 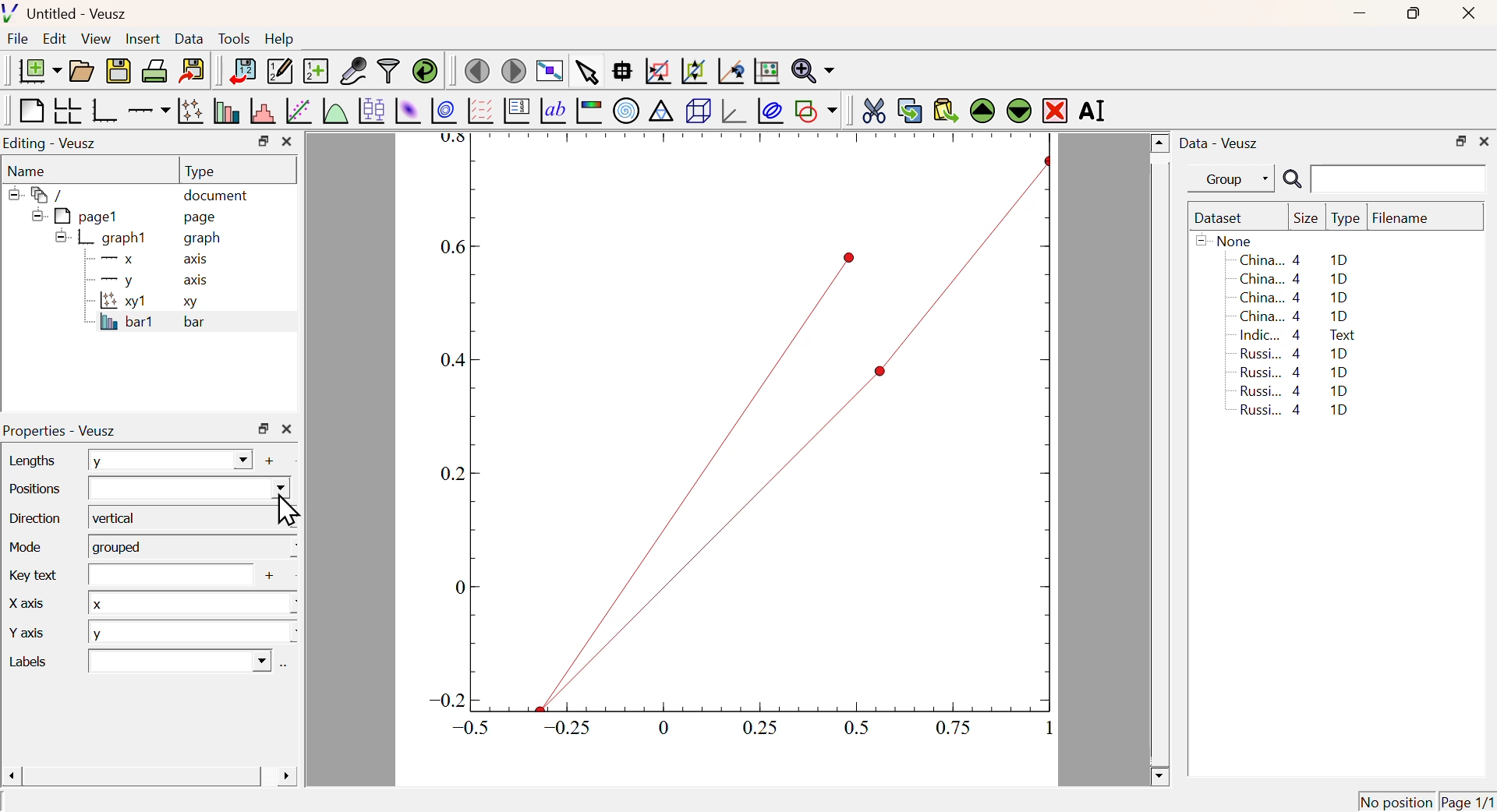 I want to click on Russi... 4 1D, so click(x=1297, y=353).